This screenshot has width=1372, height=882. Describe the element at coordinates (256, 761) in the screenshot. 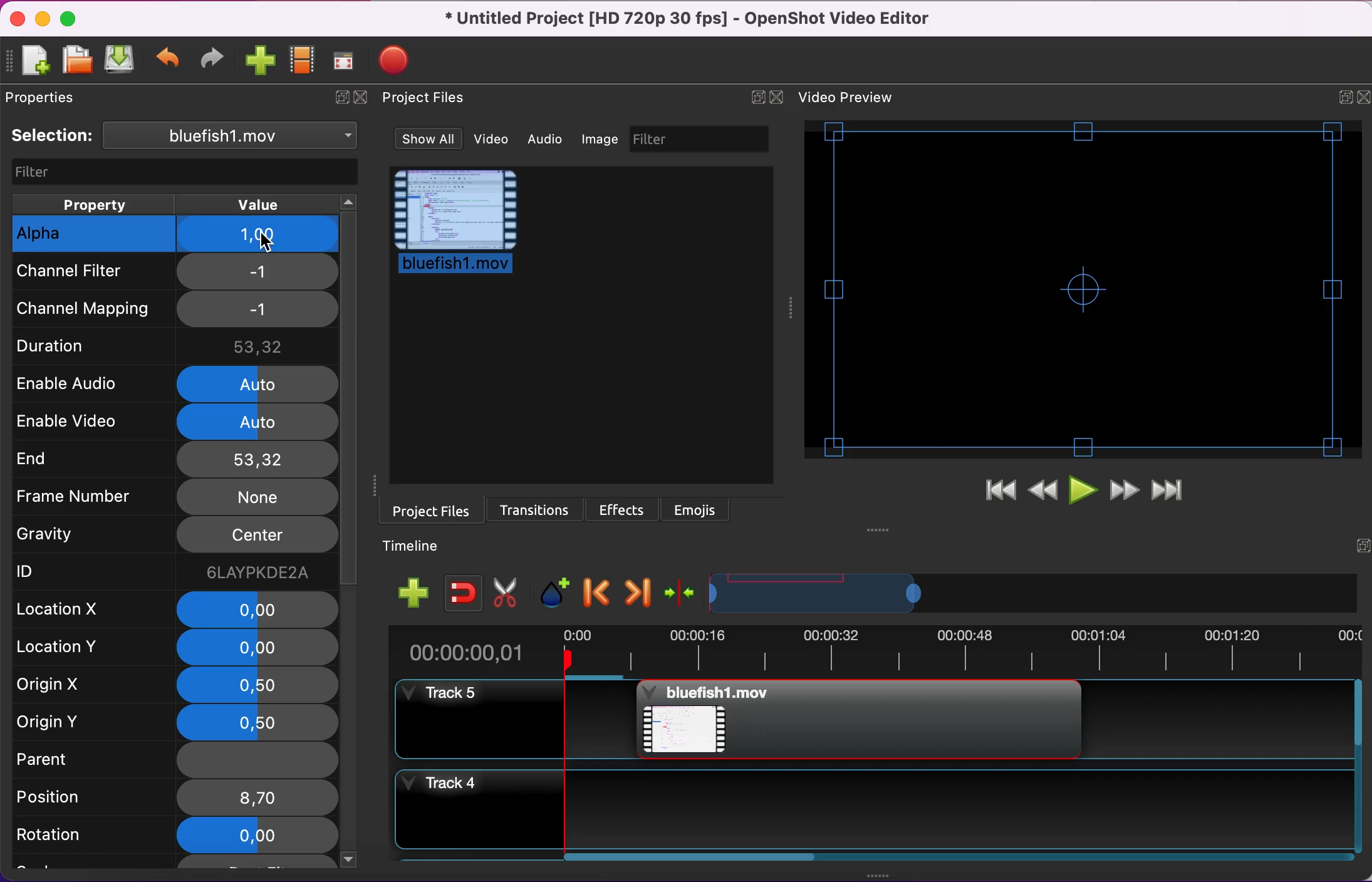

I see `none` at that location.